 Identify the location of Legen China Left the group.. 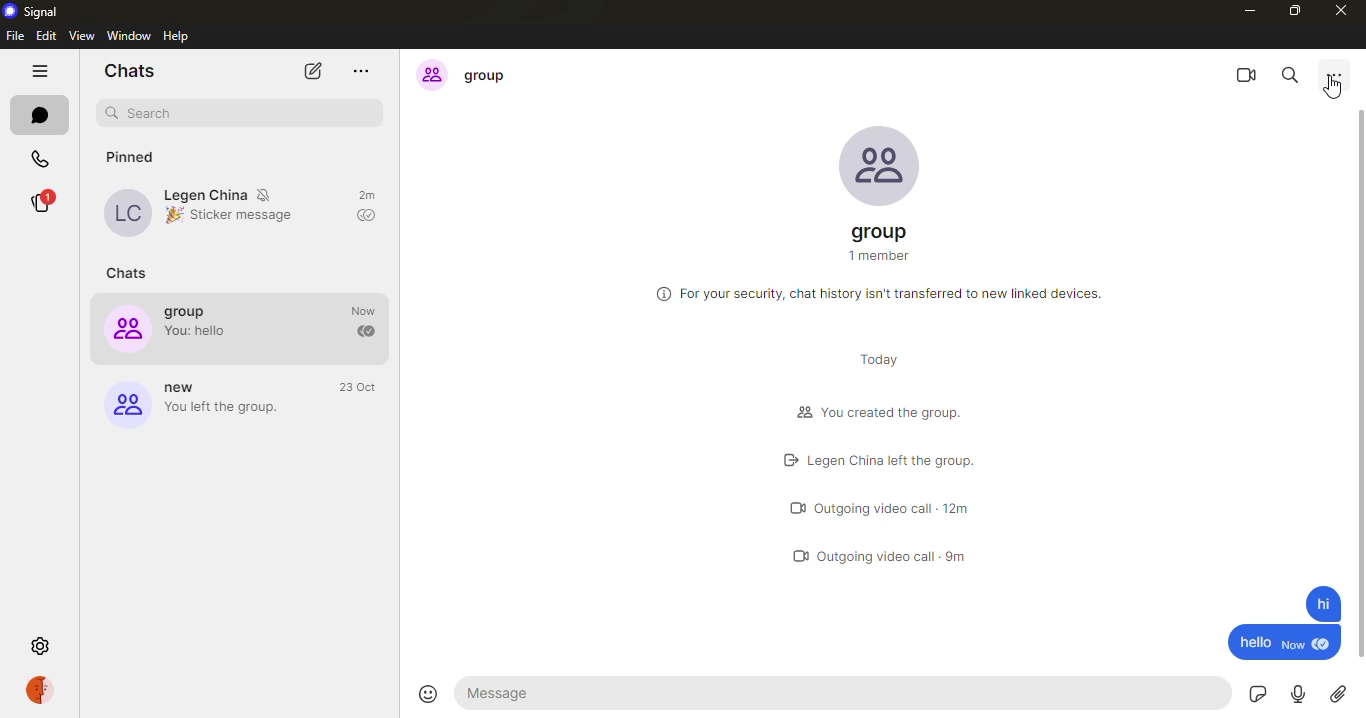
(922, 460).